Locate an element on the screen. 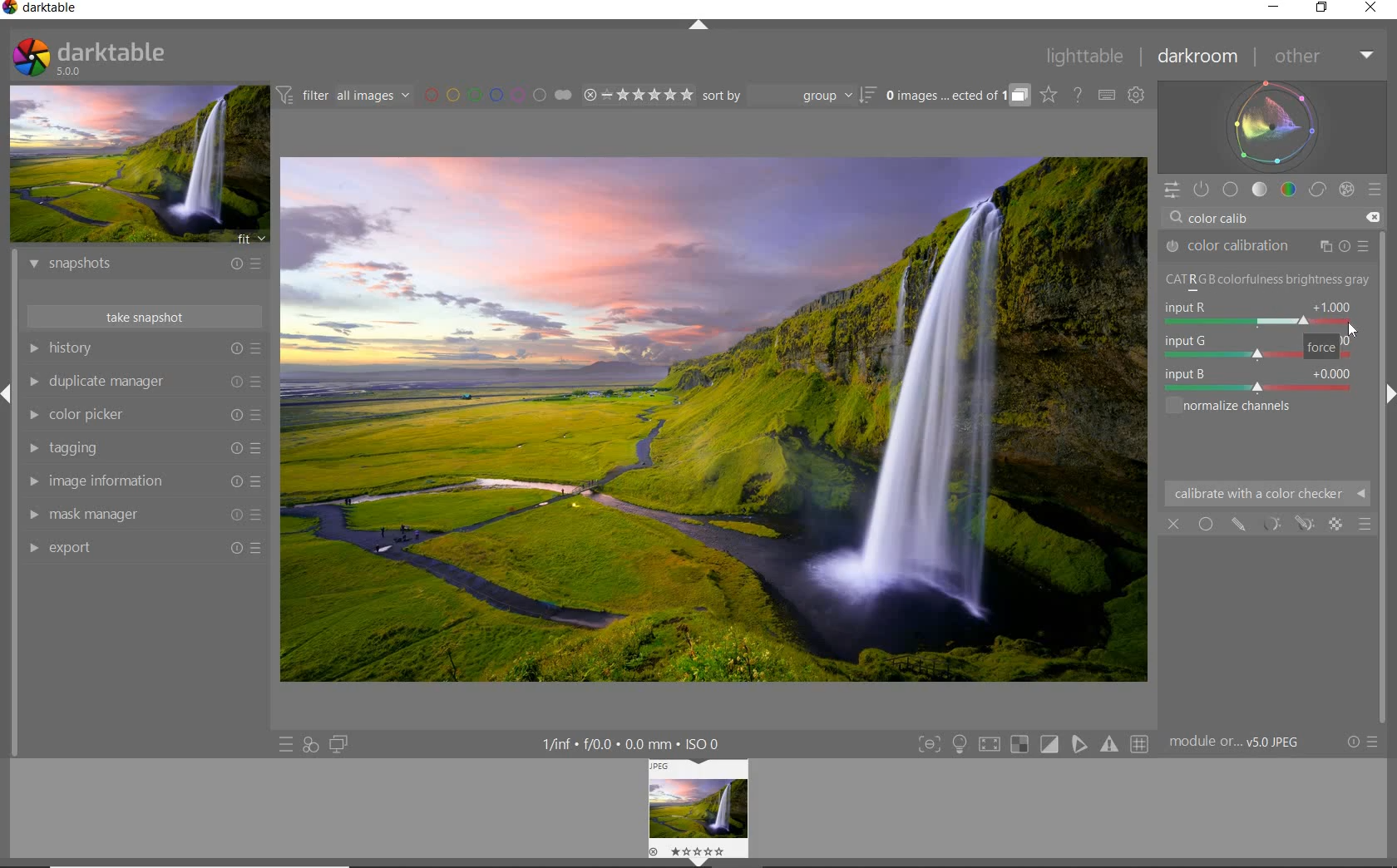 The width and height of the screenshot is (1397, 868). TOGGLE MODES is located at coordinates (1032, 745).